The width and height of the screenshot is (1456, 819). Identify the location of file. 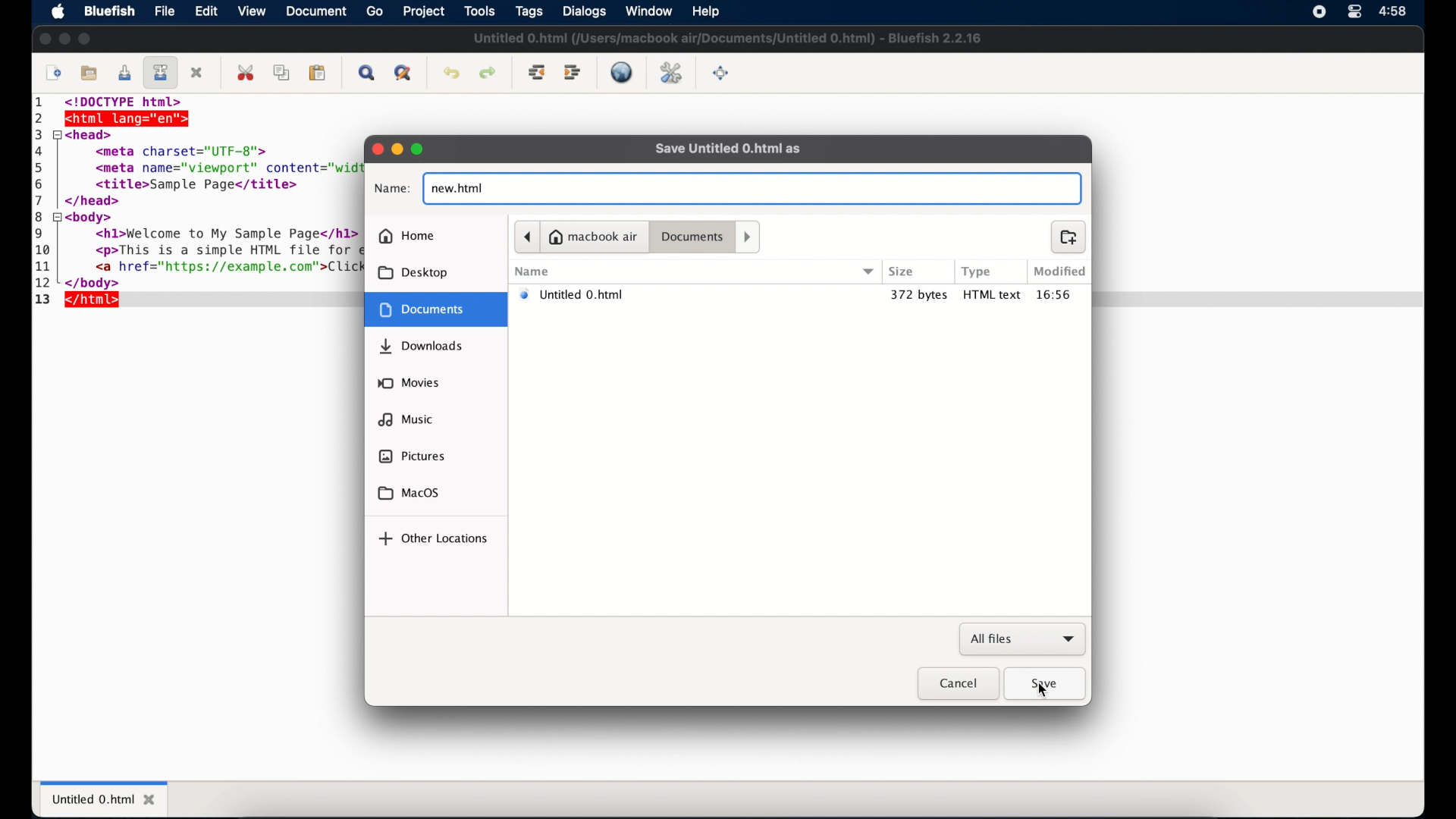
(165, 11).